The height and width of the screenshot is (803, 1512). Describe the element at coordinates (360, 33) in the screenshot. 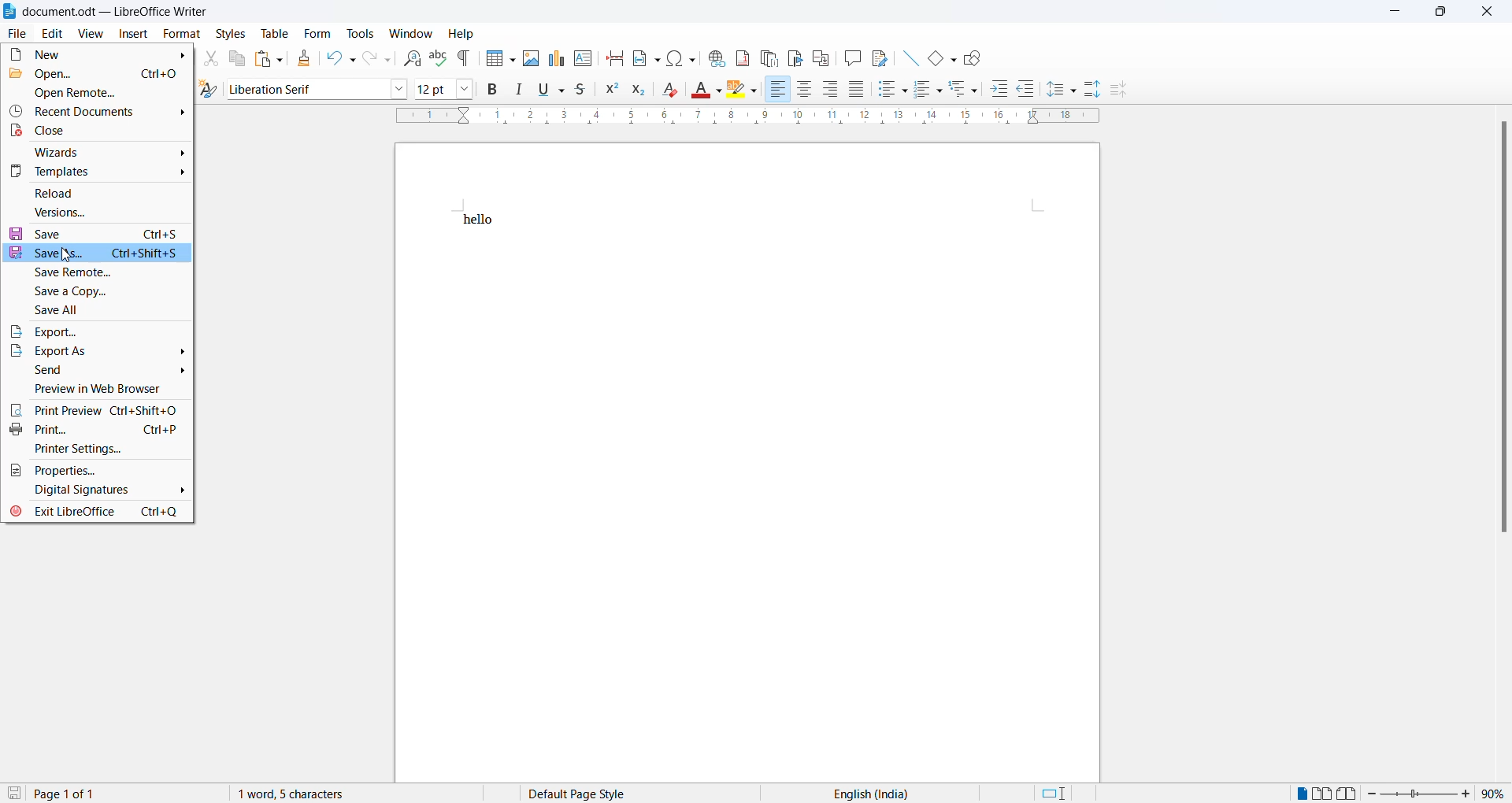

I see `Tools` at that location.